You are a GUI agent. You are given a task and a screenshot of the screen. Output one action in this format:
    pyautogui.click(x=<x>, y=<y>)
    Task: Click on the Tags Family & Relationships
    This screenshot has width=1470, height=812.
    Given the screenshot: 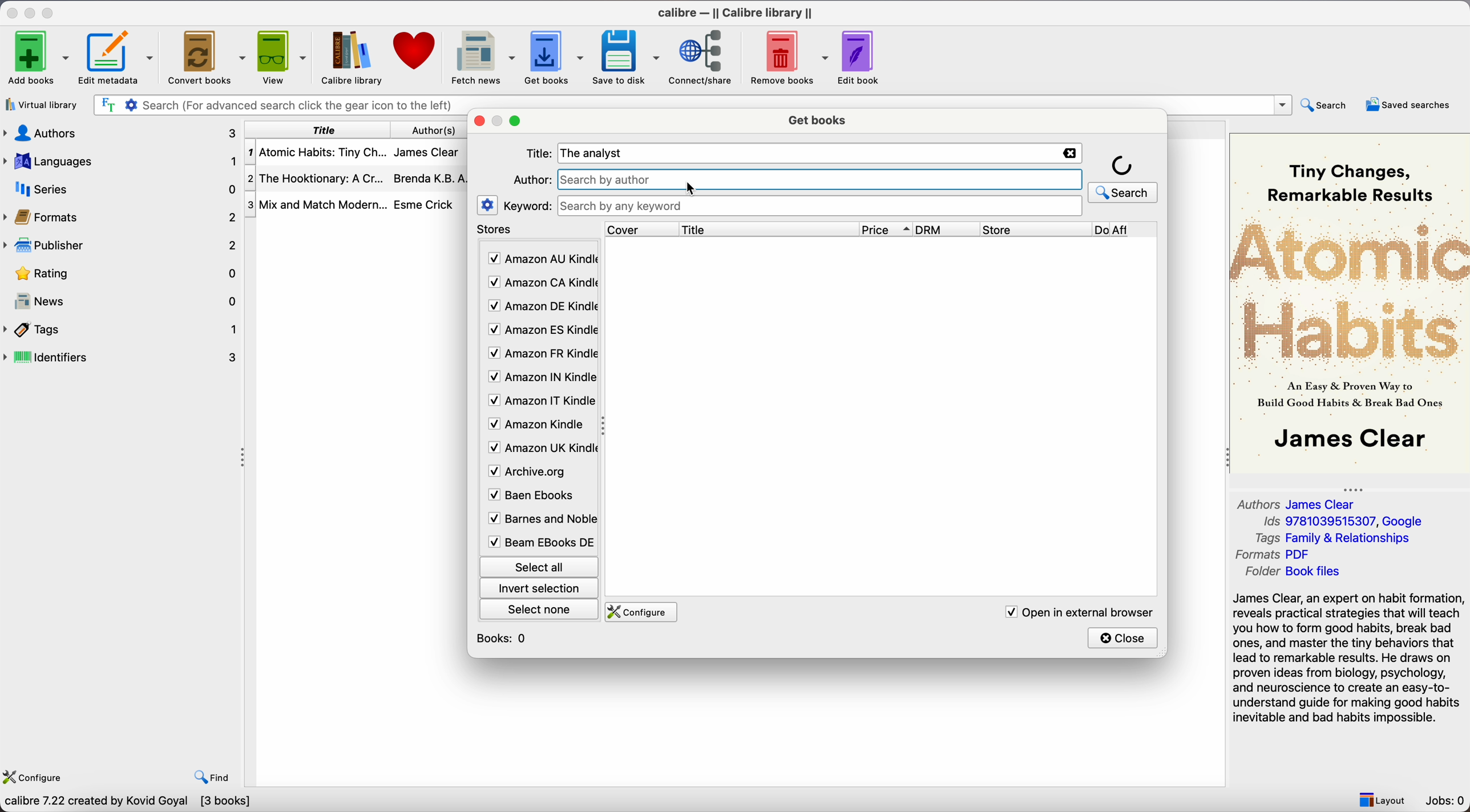 What is the action you would take?
    pyautogui.click(x=1332, y=539)
    